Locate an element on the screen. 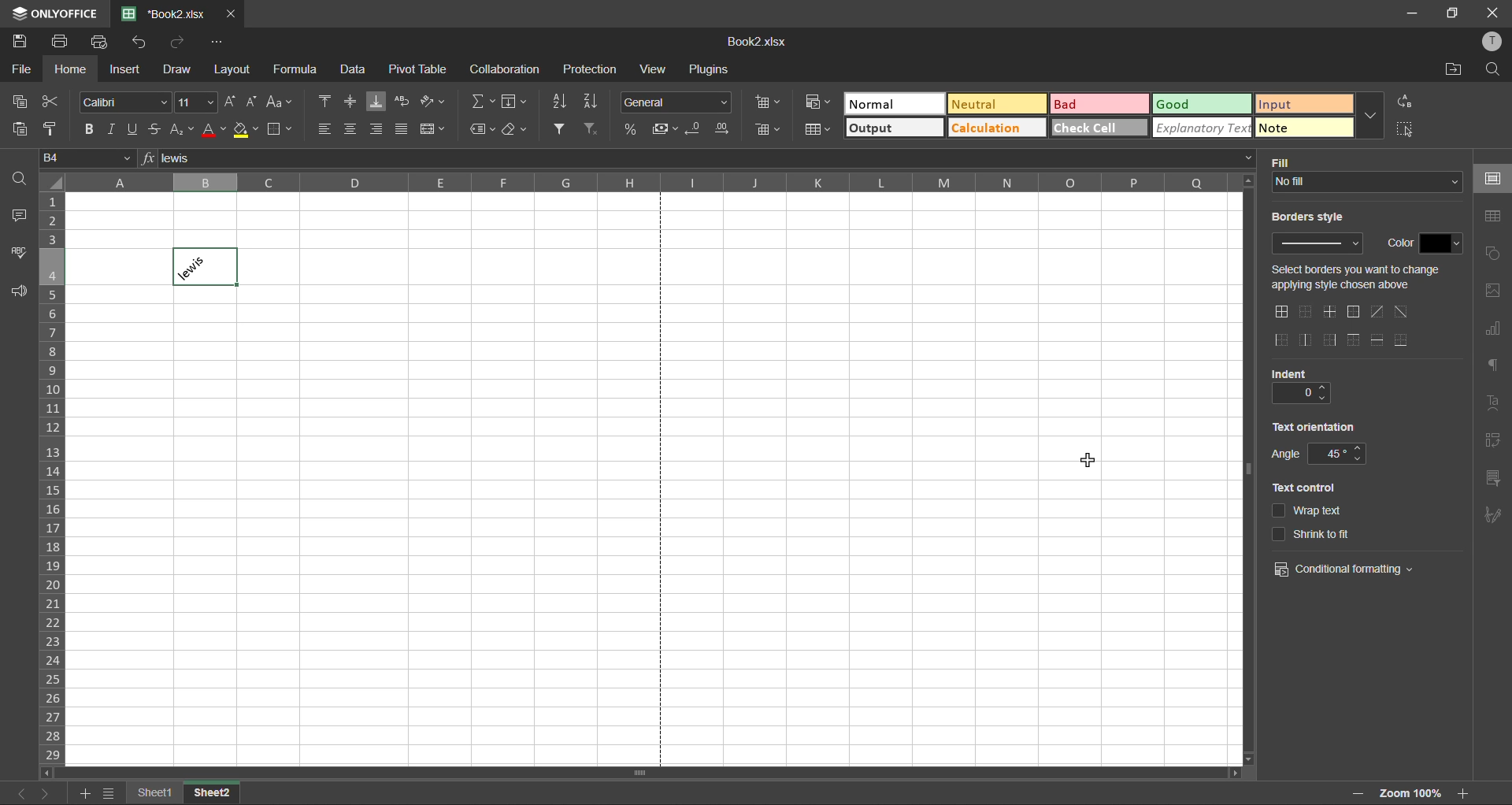 The image size is (1512, 805). color is located at coordinates (1397, 243).